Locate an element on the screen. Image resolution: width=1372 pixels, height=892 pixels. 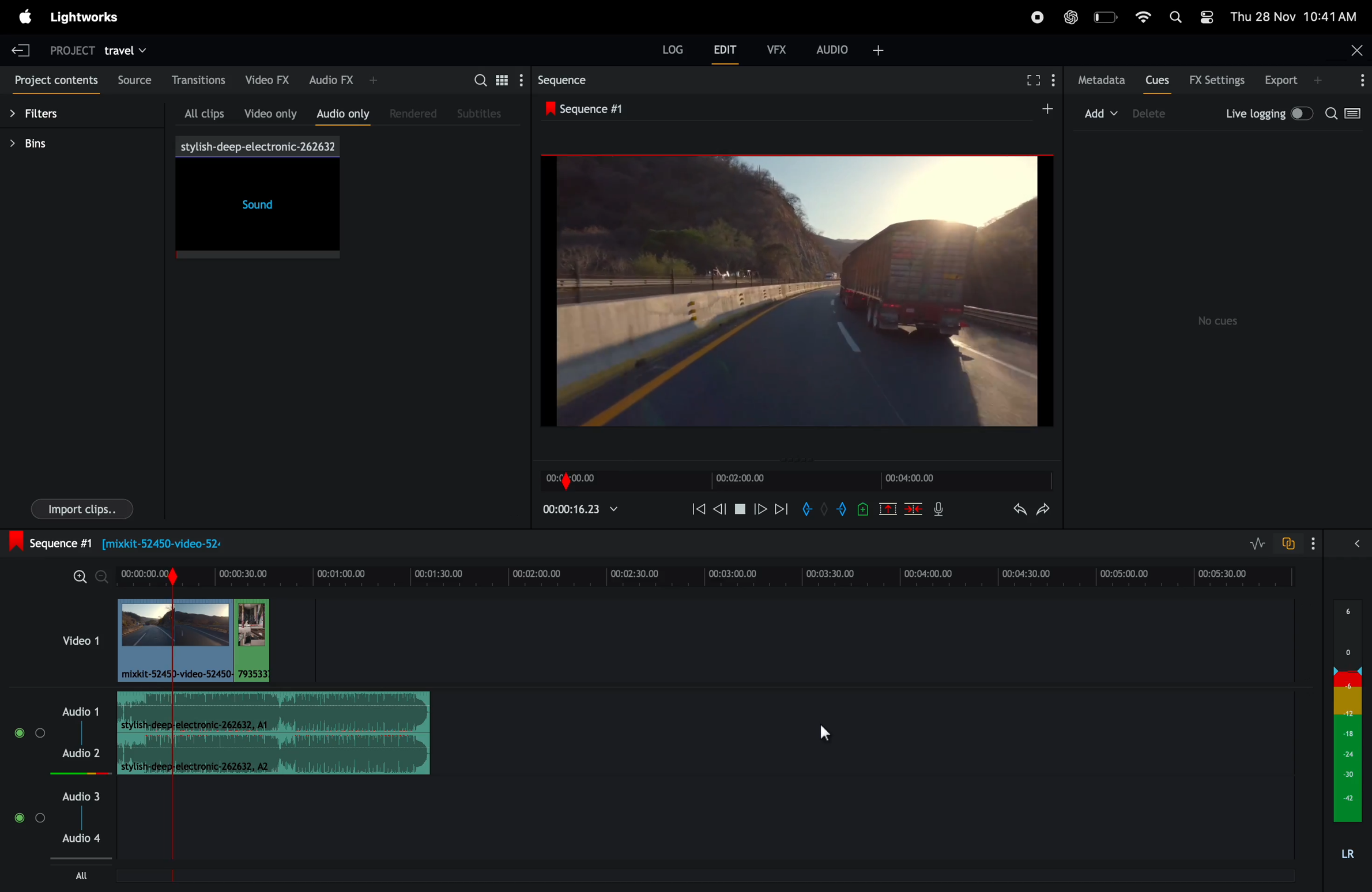
toggle editing layers is located at coordinates (1257, 543).